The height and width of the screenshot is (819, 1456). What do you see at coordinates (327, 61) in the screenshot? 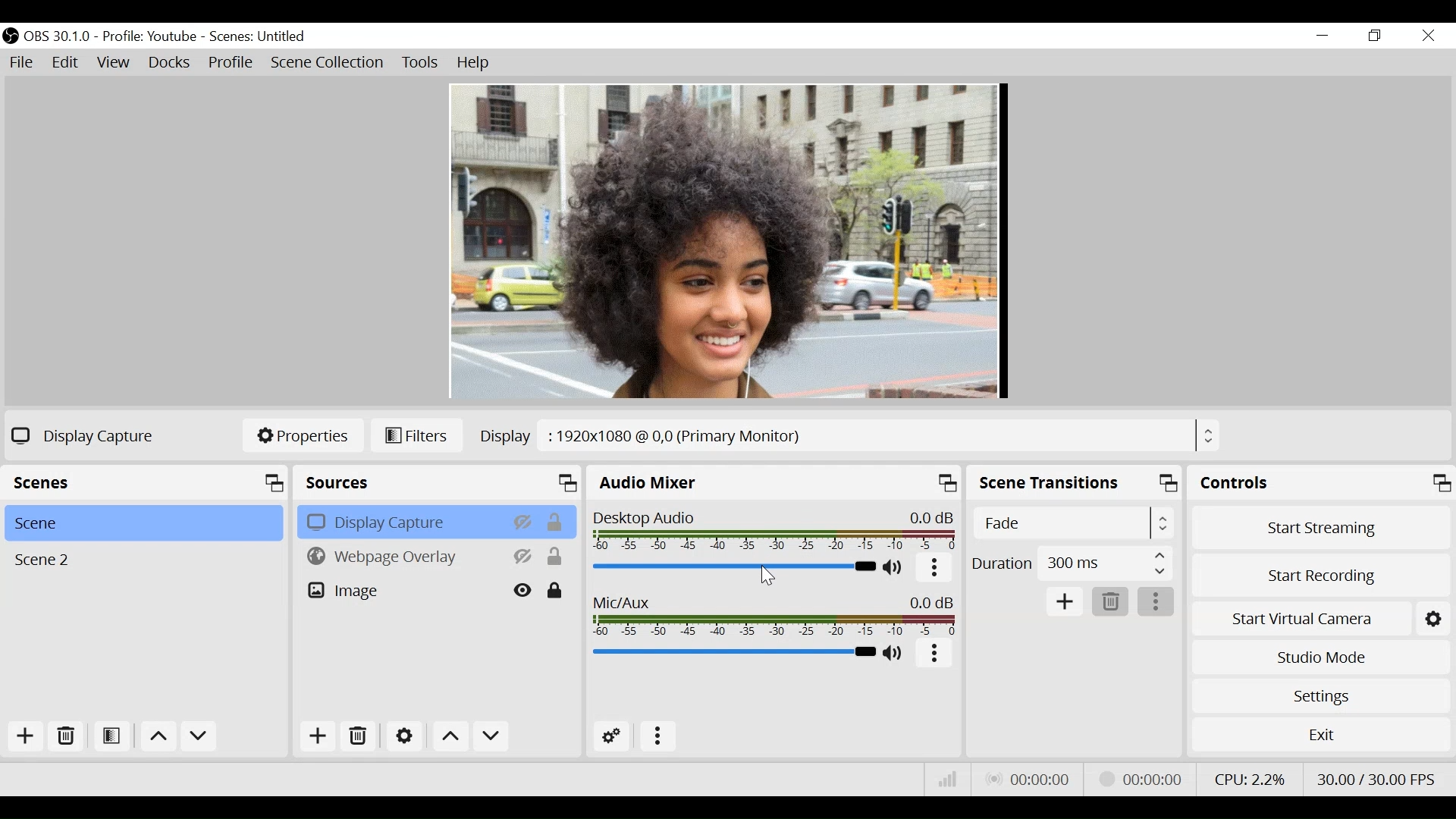
I see `Scene Collection` at bounding box center [327, 61].